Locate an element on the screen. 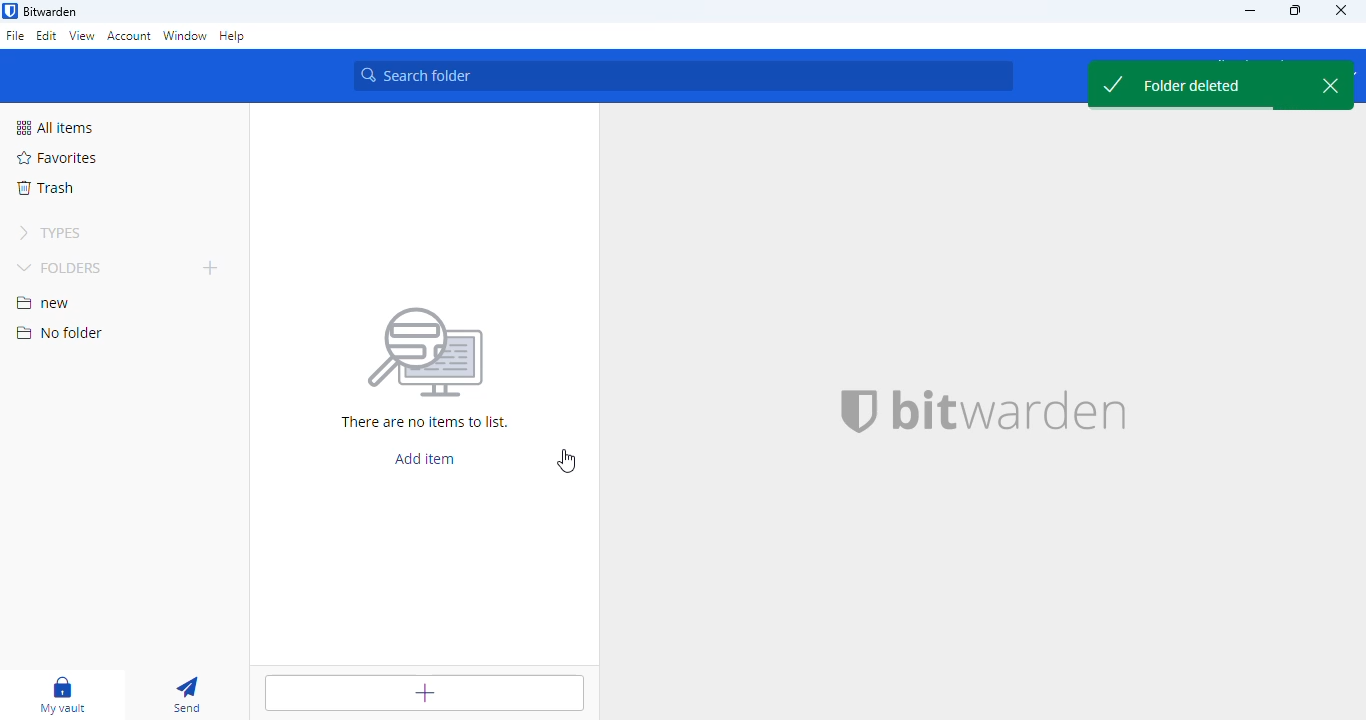 The image size is (1366, 720). Searching for file vector  is located at coordinates (426, 353).